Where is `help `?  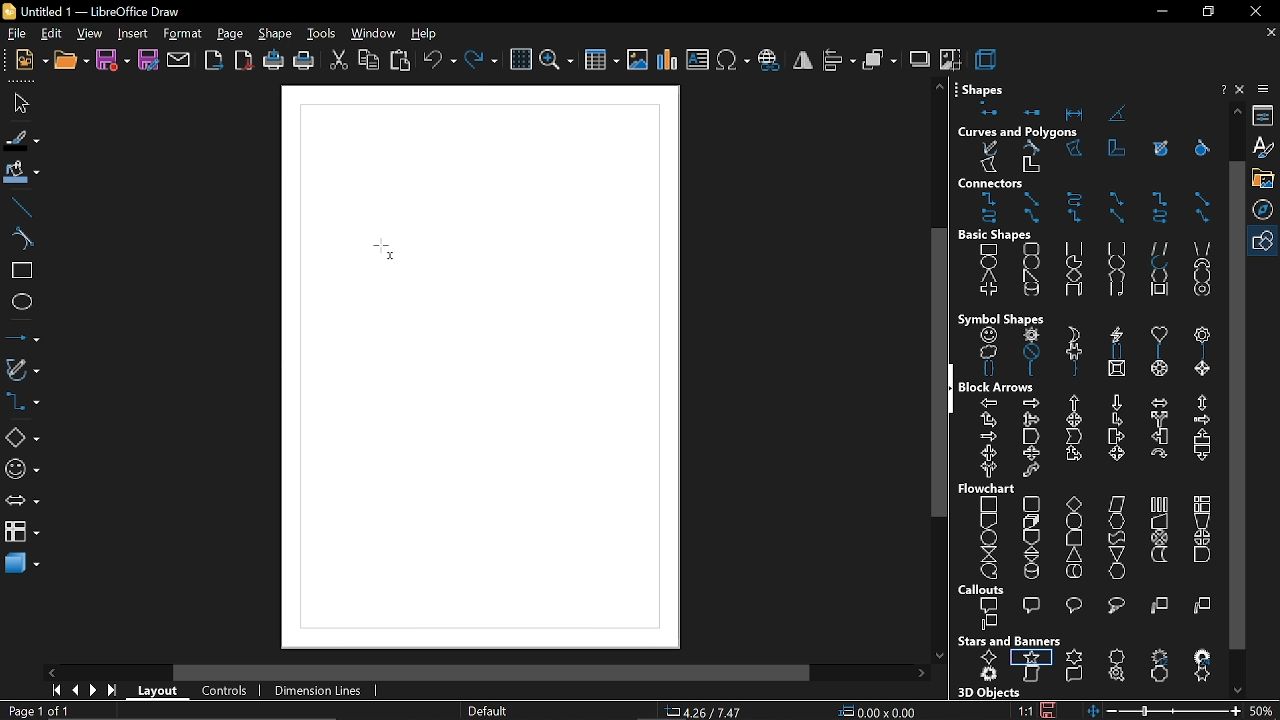 help  is located at coordinates (1222, 89).